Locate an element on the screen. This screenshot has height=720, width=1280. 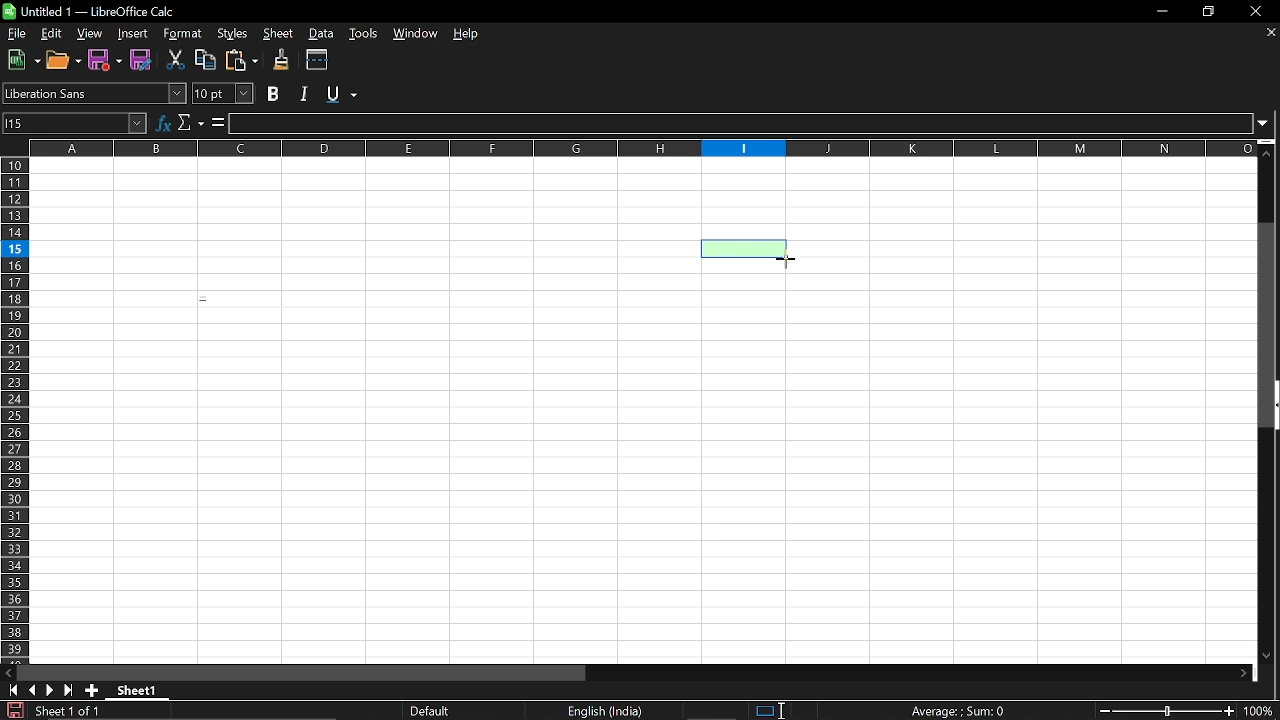
Styles is located at coordinates (229, 34).